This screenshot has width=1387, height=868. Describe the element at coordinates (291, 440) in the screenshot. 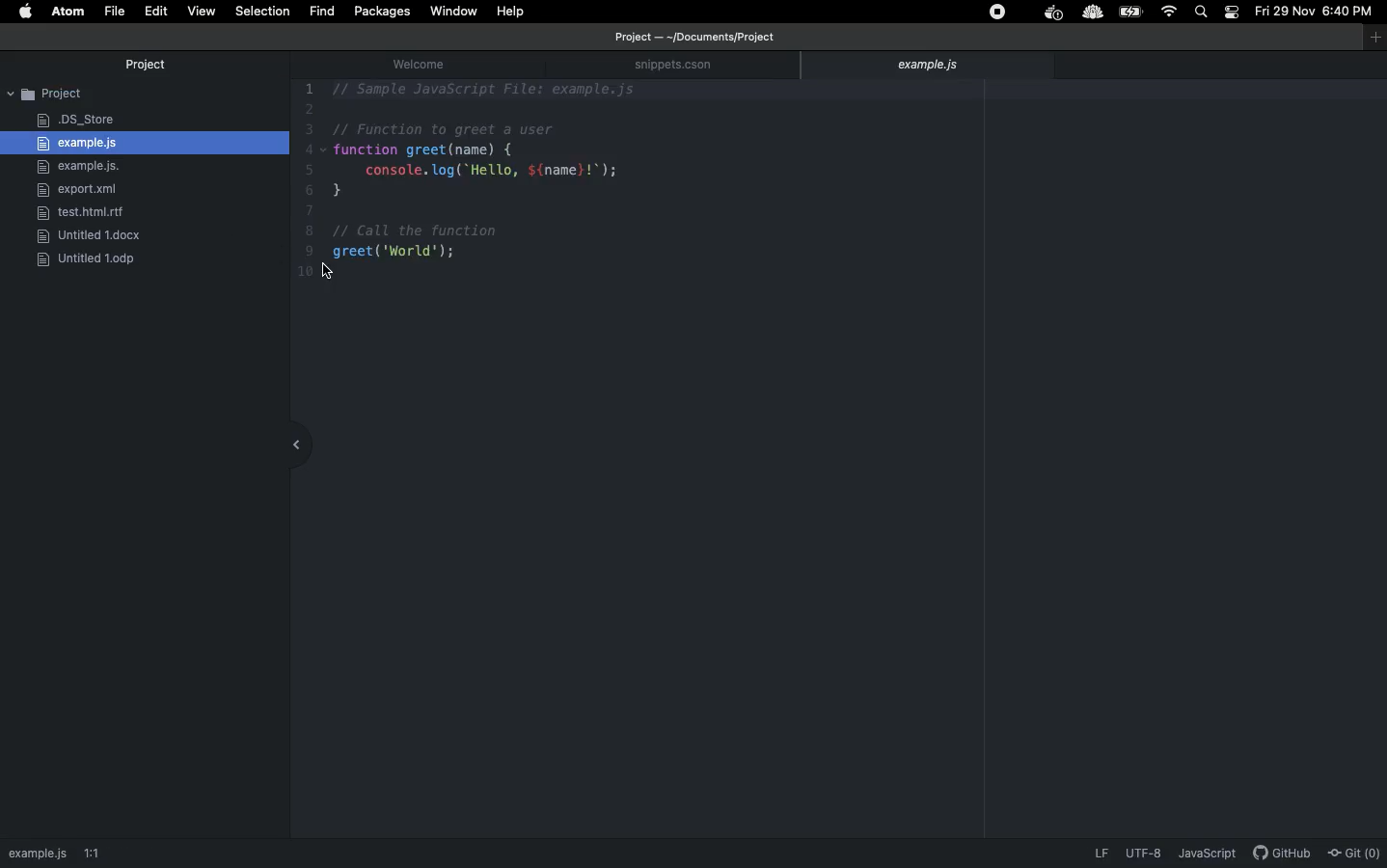

I see `collapse` at that location.